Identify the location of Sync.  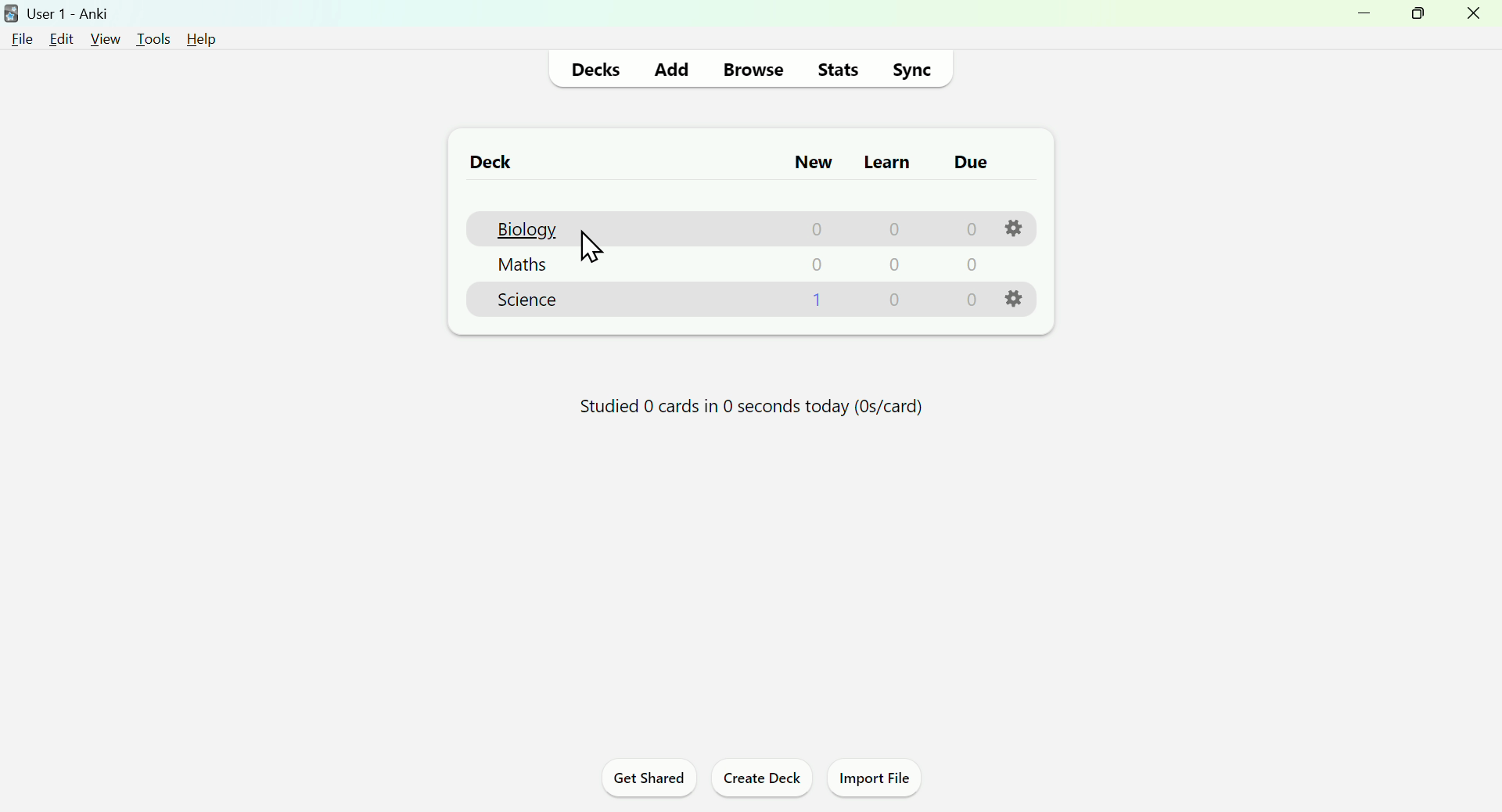
(911, 70).